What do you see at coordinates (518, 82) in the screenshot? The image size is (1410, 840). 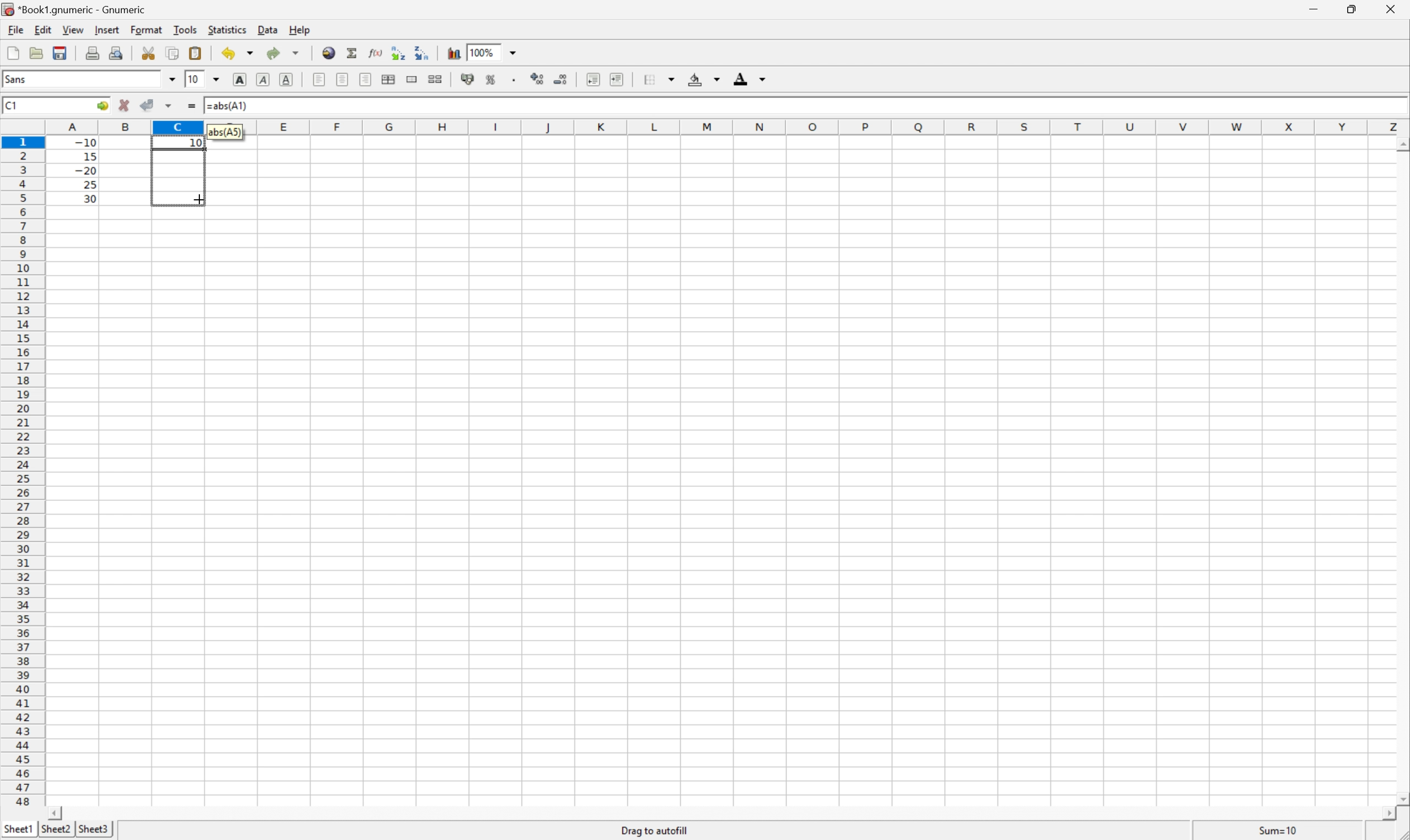 I see `Set the format of the selected cells to include a thousands separator` at bounding box center [518, 82].